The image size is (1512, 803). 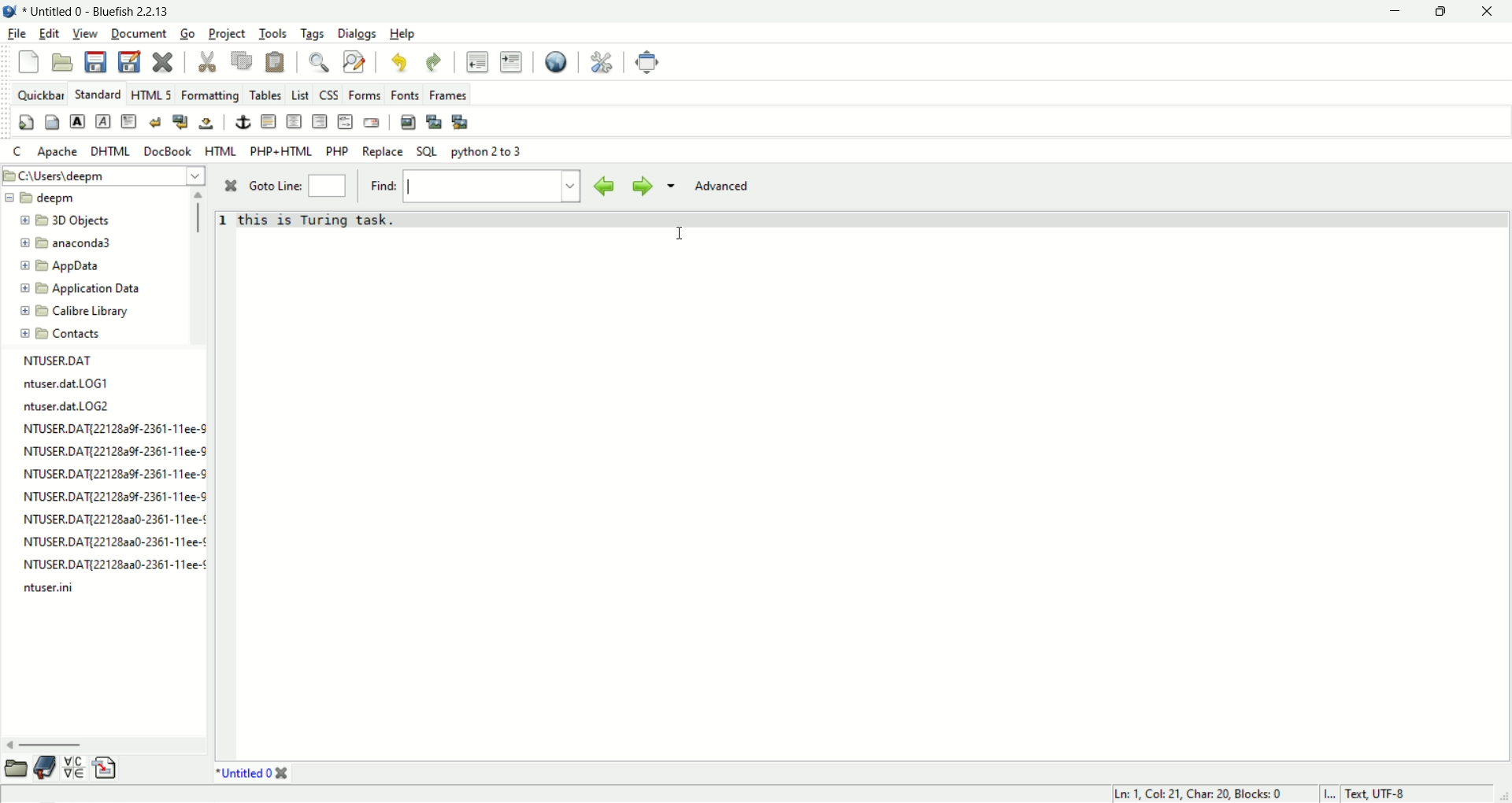 What do you see at coordinates (327, 187) in the screenshot?
I see `goto line number` at bounding box center [327, 187].